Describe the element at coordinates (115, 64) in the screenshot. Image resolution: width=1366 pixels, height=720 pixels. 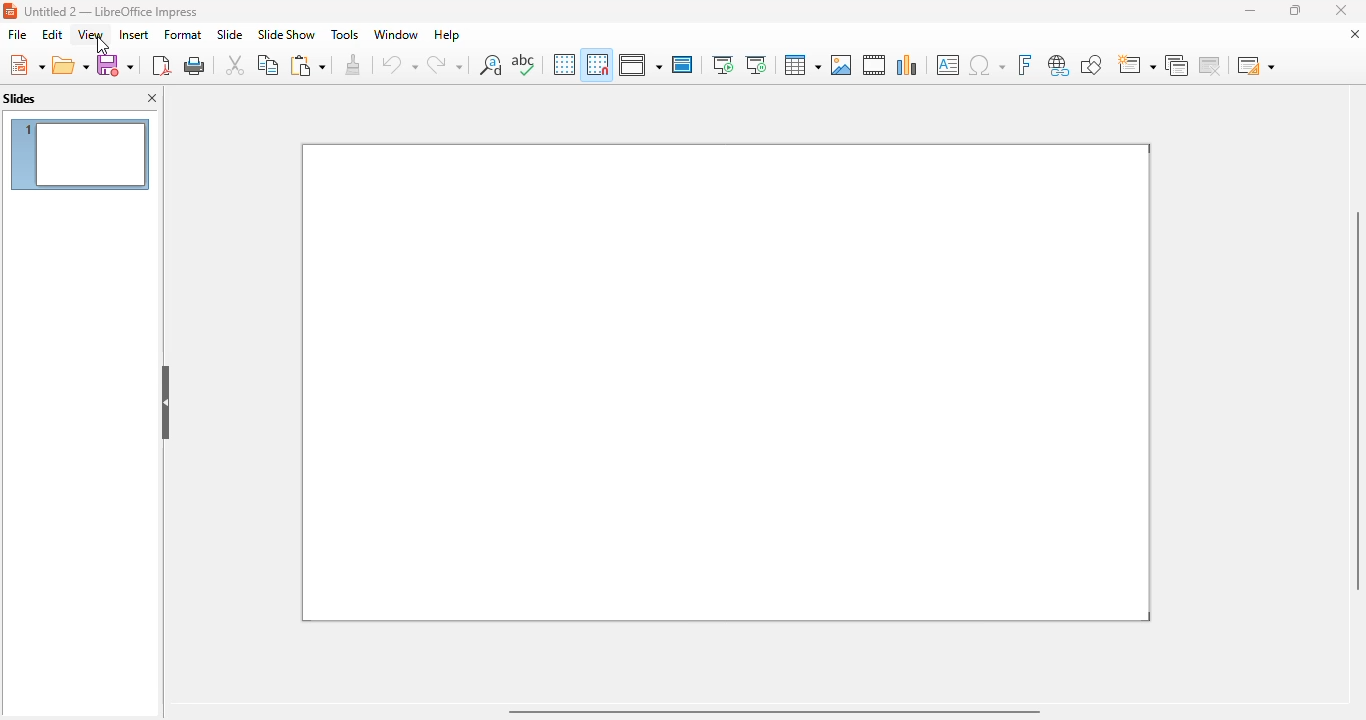
I see `save` at that location.